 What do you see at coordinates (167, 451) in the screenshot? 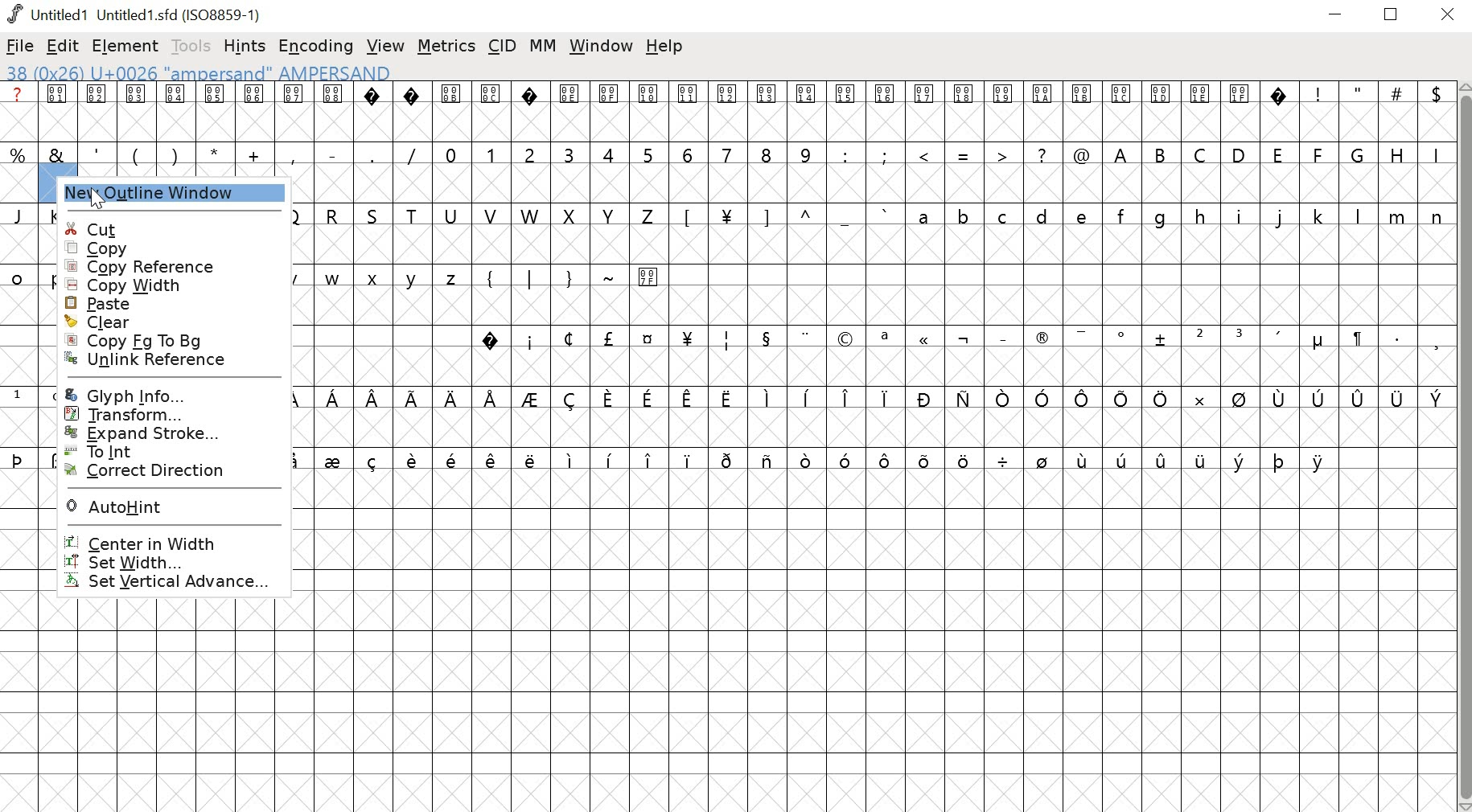
I see `To Int` at bounding box center [167, 451].